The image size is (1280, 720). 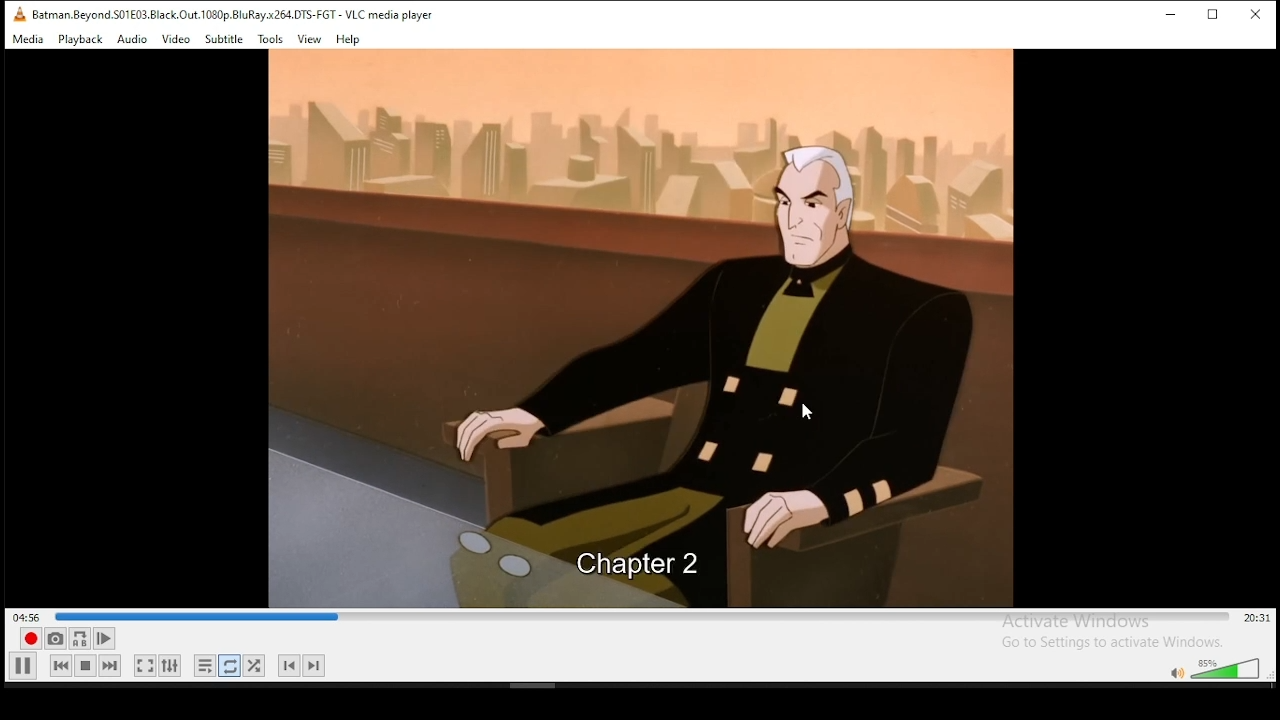 What do you see at coordinates (1214, 669) in the screenshot?
I see `volumne control` at bounding box center [1214, 669].